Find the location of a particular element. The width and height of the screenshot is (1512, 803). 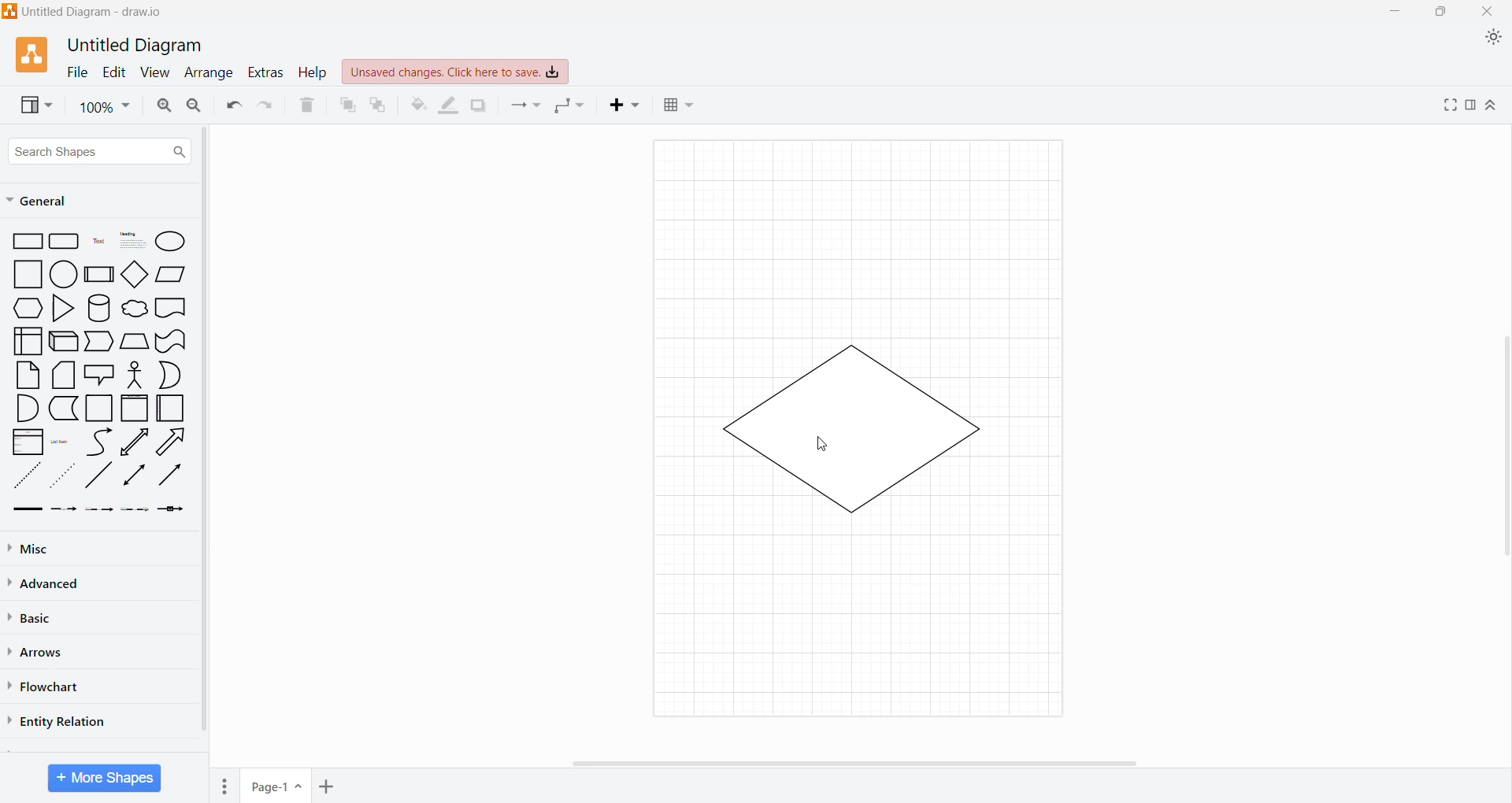

Circle is located at coordinates (65, 275).